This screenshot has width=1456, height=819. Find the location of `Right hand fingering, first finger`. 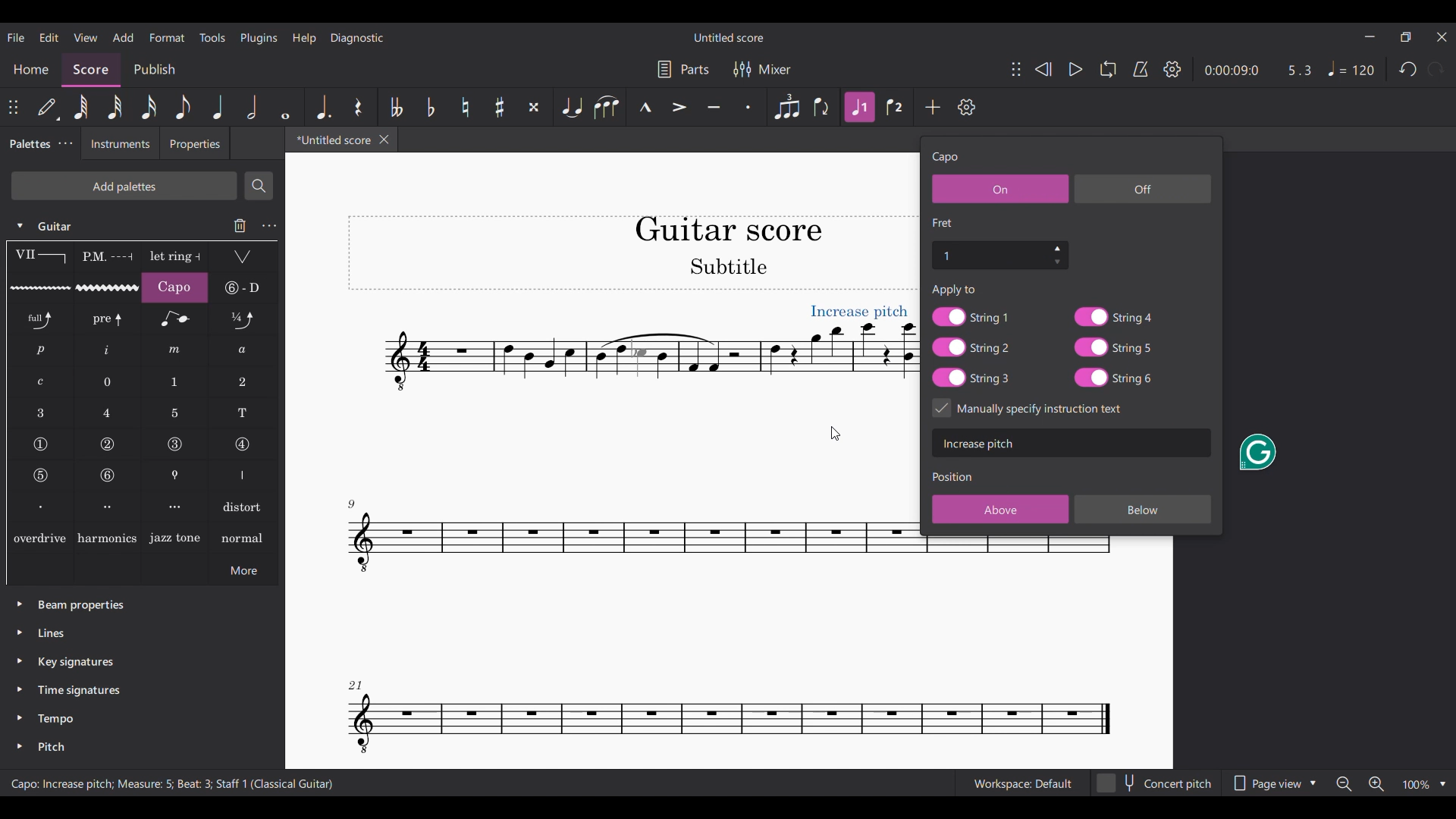

Right hand fingering, first finger is located at coordinates (39, 506).